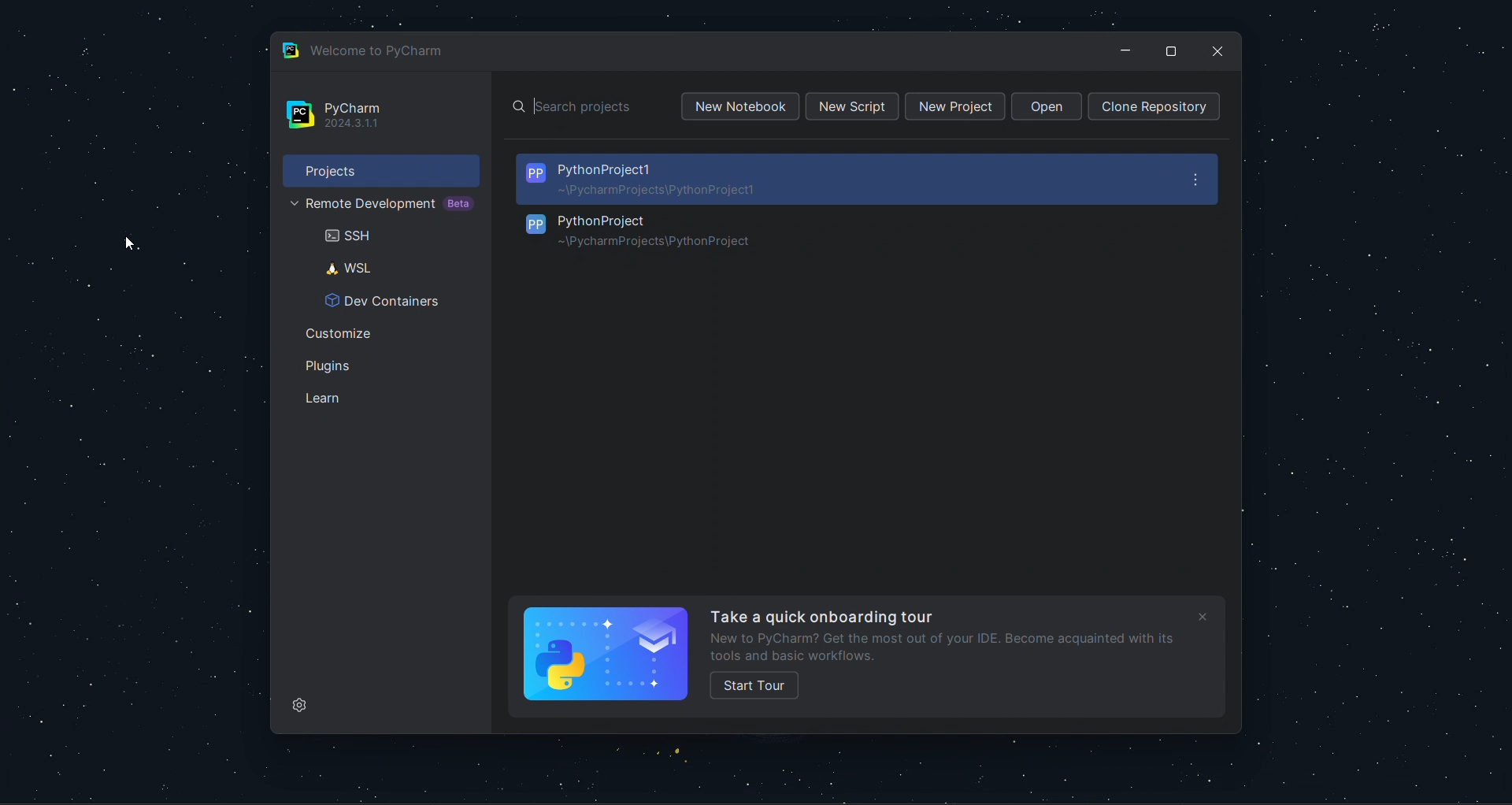 This screenshot has height=805, width=1512. I want to click on maximize, so click(1171, 54).